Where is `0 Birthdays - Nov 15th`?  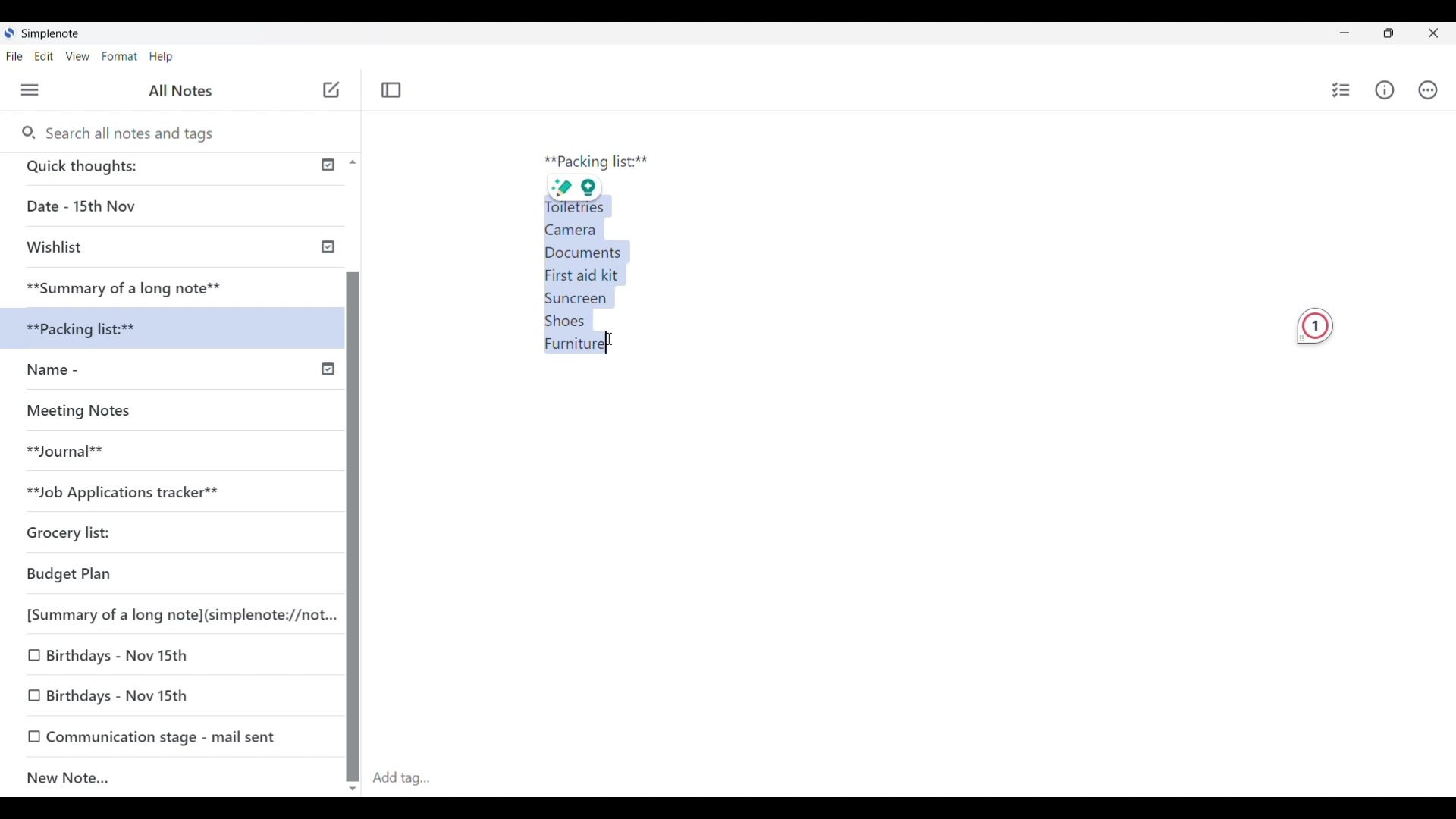
0 Birthdays - Nov 15th is located at coordinates (123, 695).